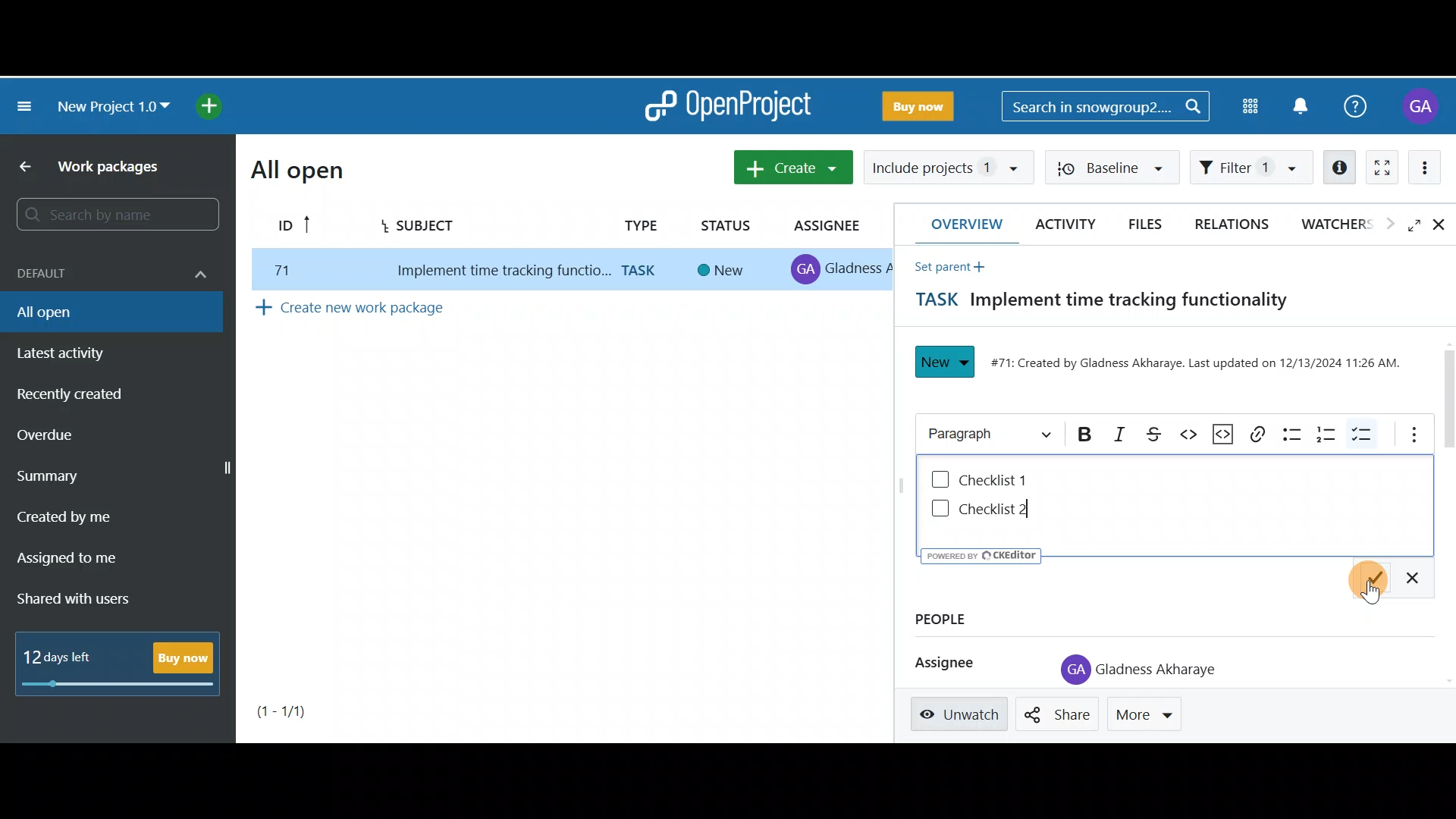 The image size is (1456, 819). What do you see at coordinates (1433, 168) in the screenshot?
I see `More actions` at bounding box center [1433, 168].